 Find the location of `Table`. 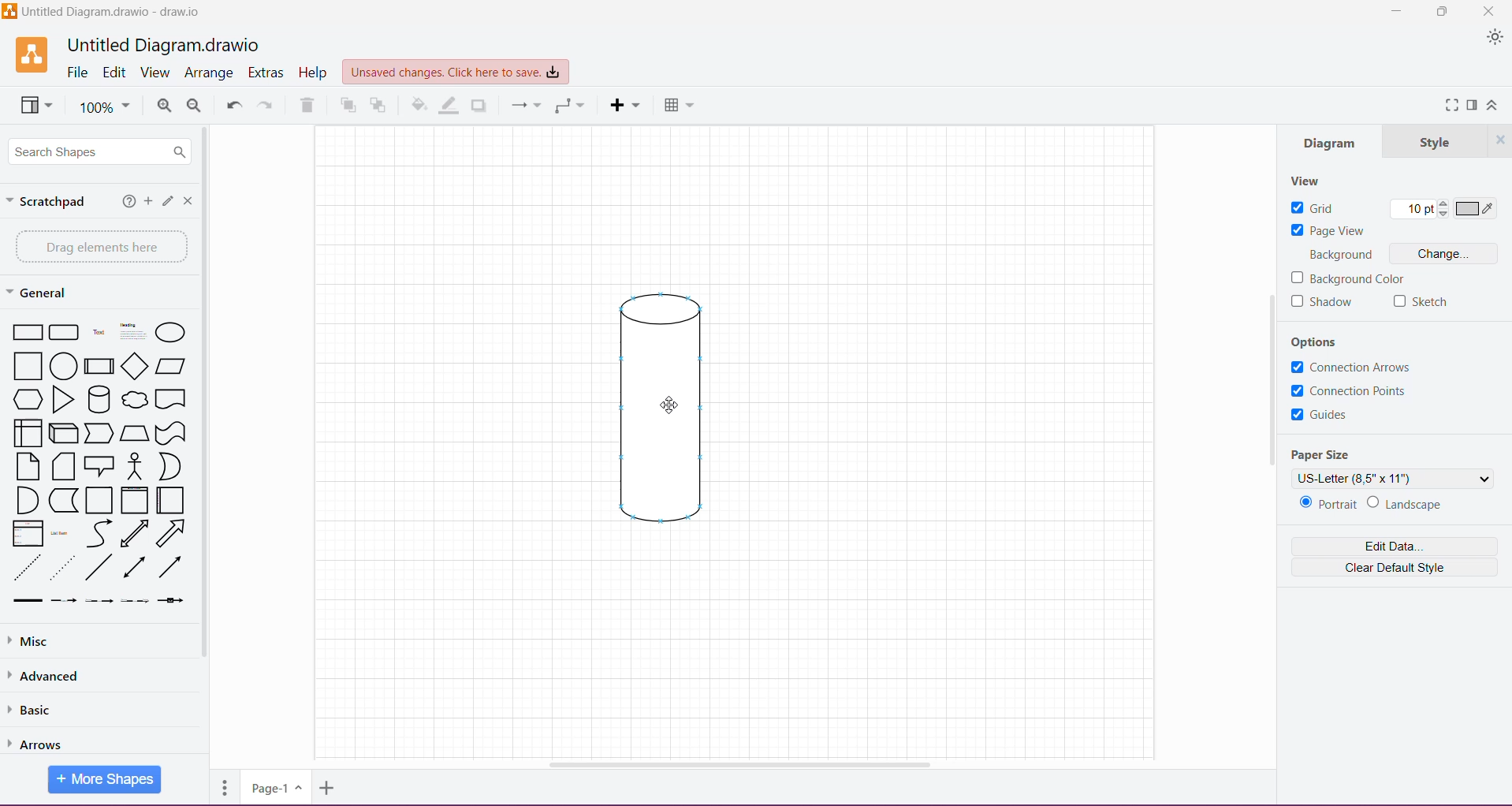

Table is located at coordinates (680, 106).